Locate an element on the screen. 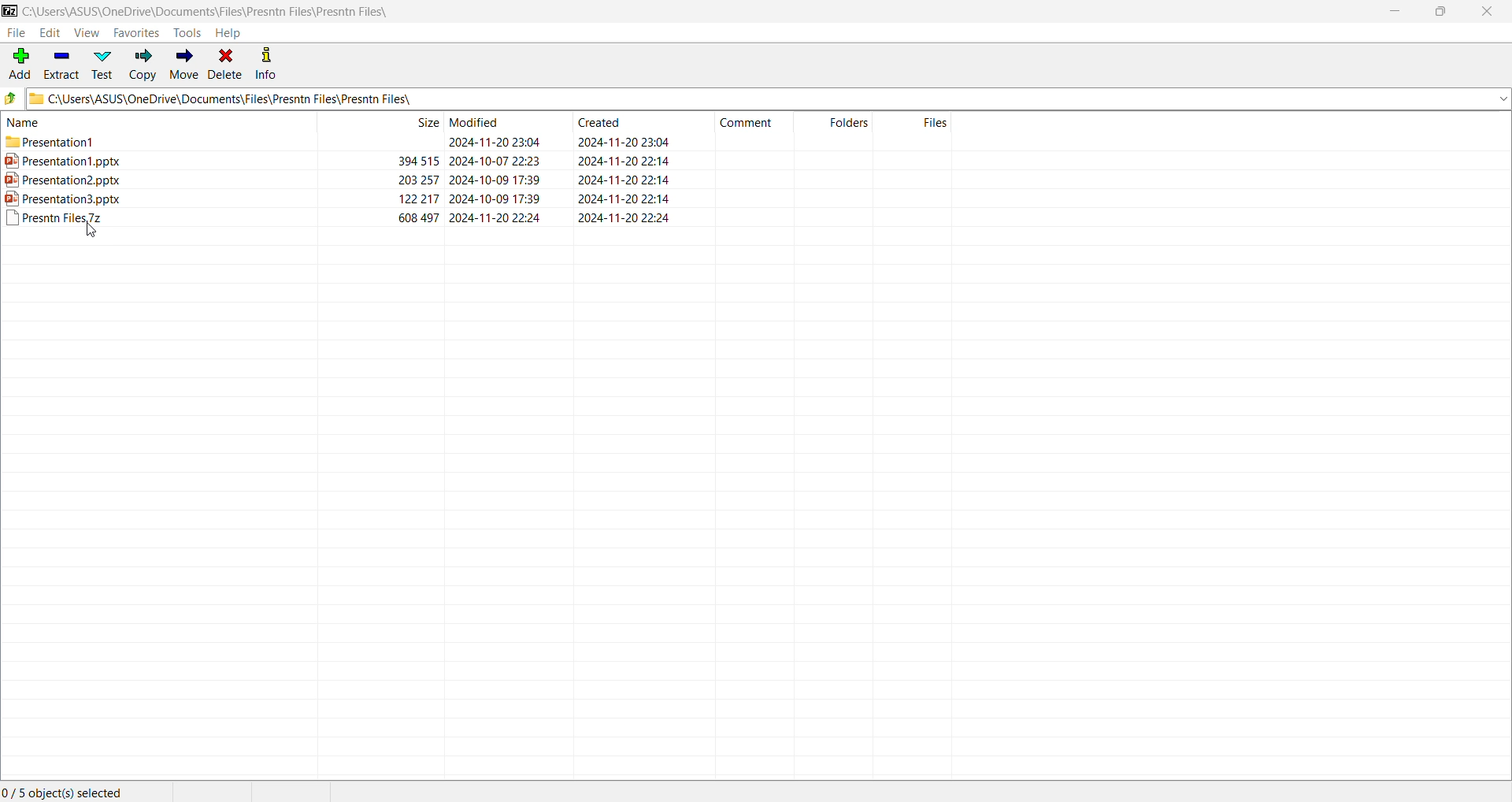 Image resolution: width=1512 pixels, height=802 pixels. Presentation1.pptx is located at coordinates (63, 162).